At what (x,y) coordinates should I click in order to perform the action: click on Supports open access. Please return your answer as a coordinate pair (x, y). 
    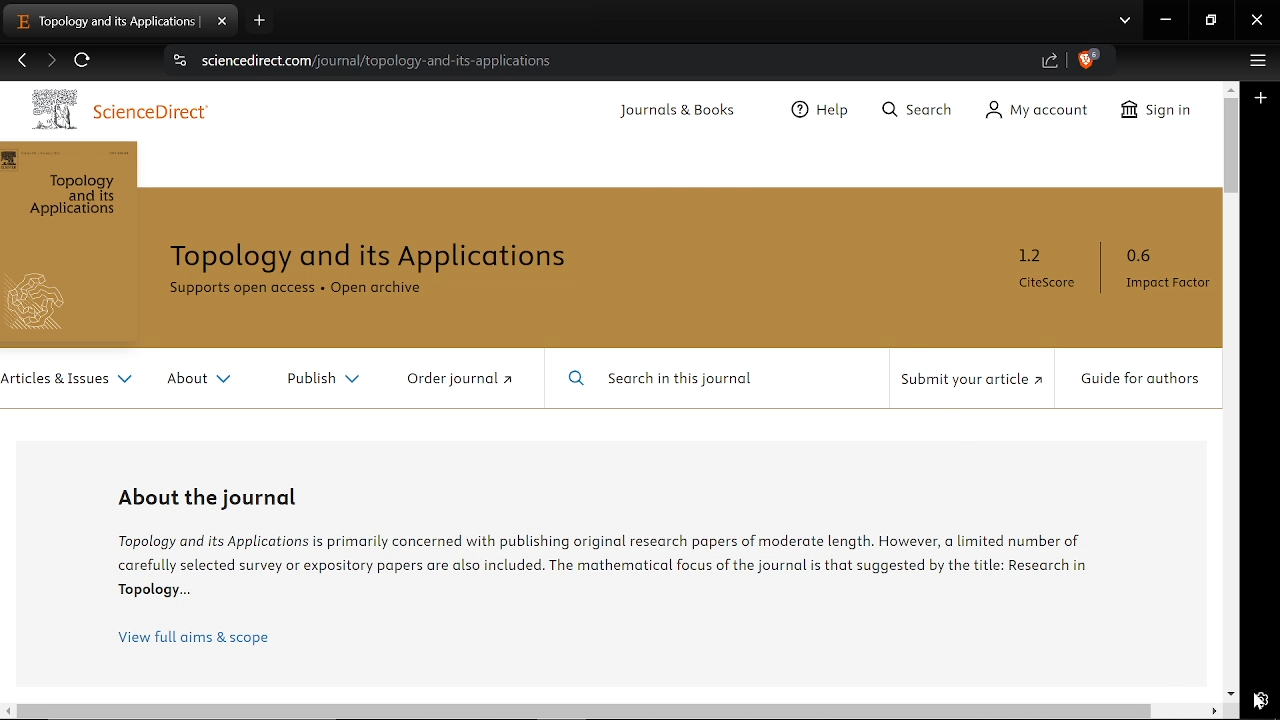
    Looking at the image, I should click on (237, 289).